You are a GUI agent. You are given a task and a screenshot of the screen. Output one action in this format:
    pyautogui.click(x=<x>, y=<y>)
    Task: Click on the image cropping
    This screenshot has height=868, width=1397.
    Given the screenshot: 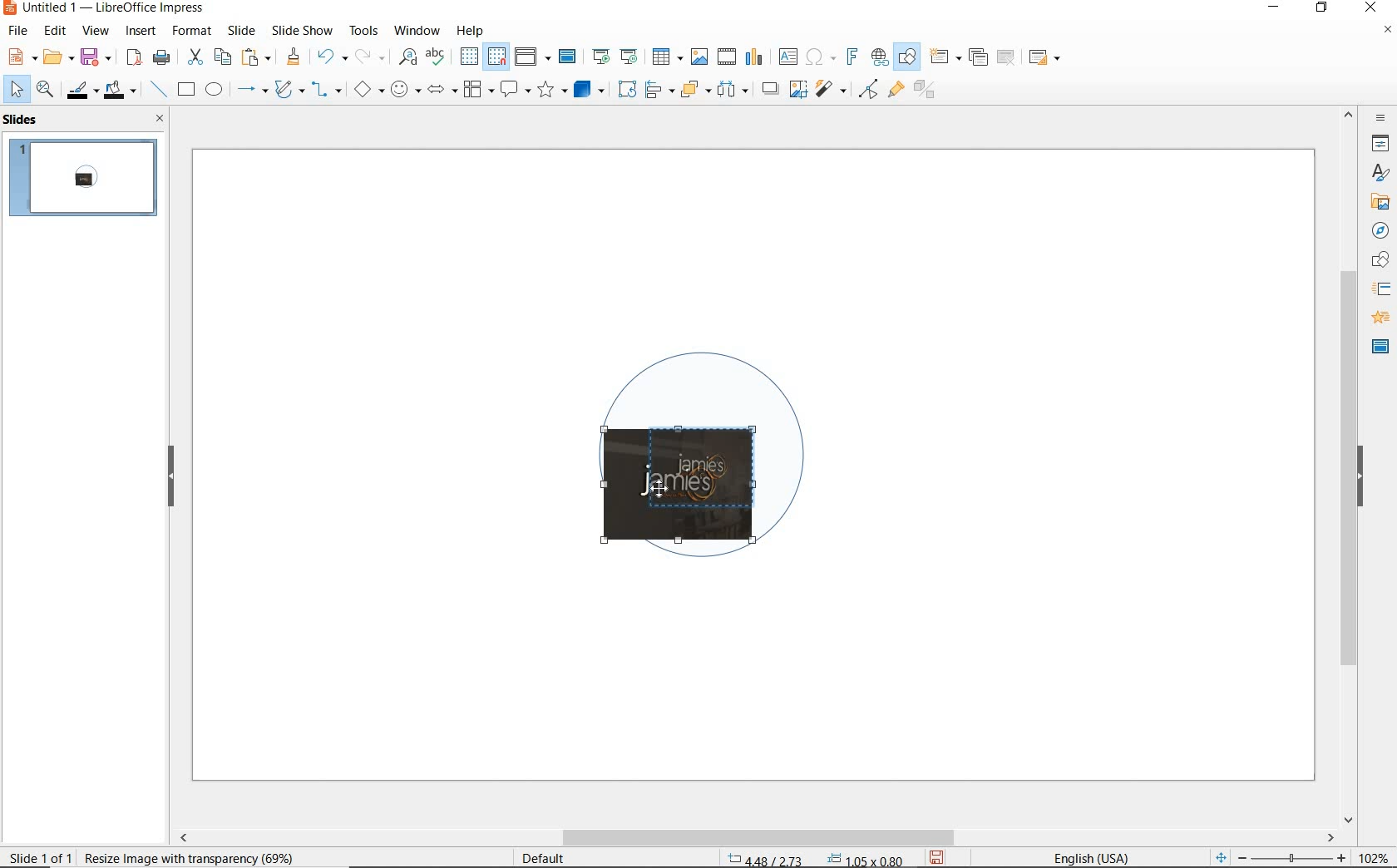 What is the action you would take?
    pyautogui.click(x=684, y=486)
    